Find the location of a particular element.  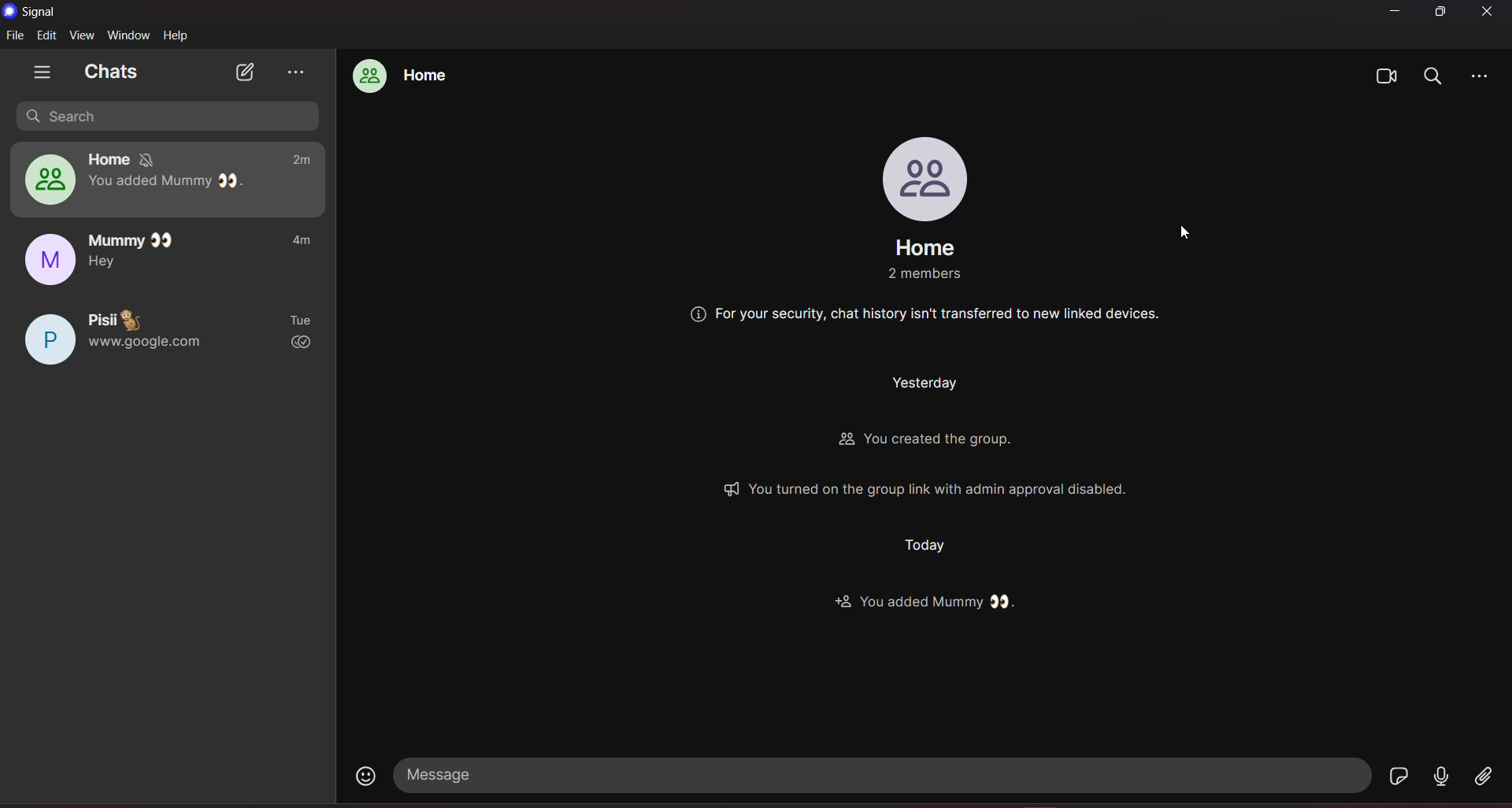

window is located at coordinates (129, 36).